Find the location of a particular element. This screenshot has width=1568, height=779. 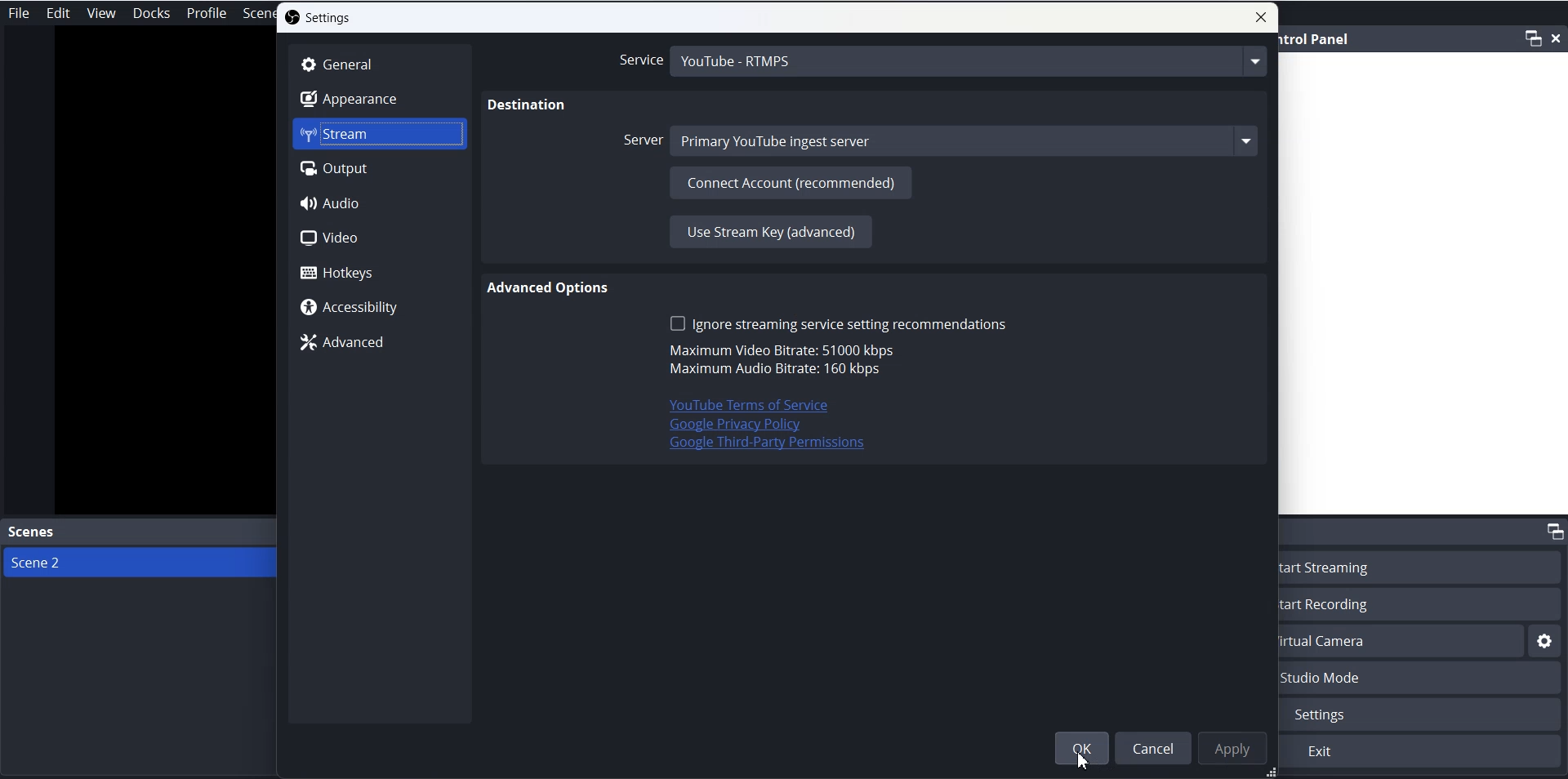

Maximum Video Bitrate: 51000 kbps Maximum Audio Bitrate: 160 kbps is located at coordinates (779, 361).